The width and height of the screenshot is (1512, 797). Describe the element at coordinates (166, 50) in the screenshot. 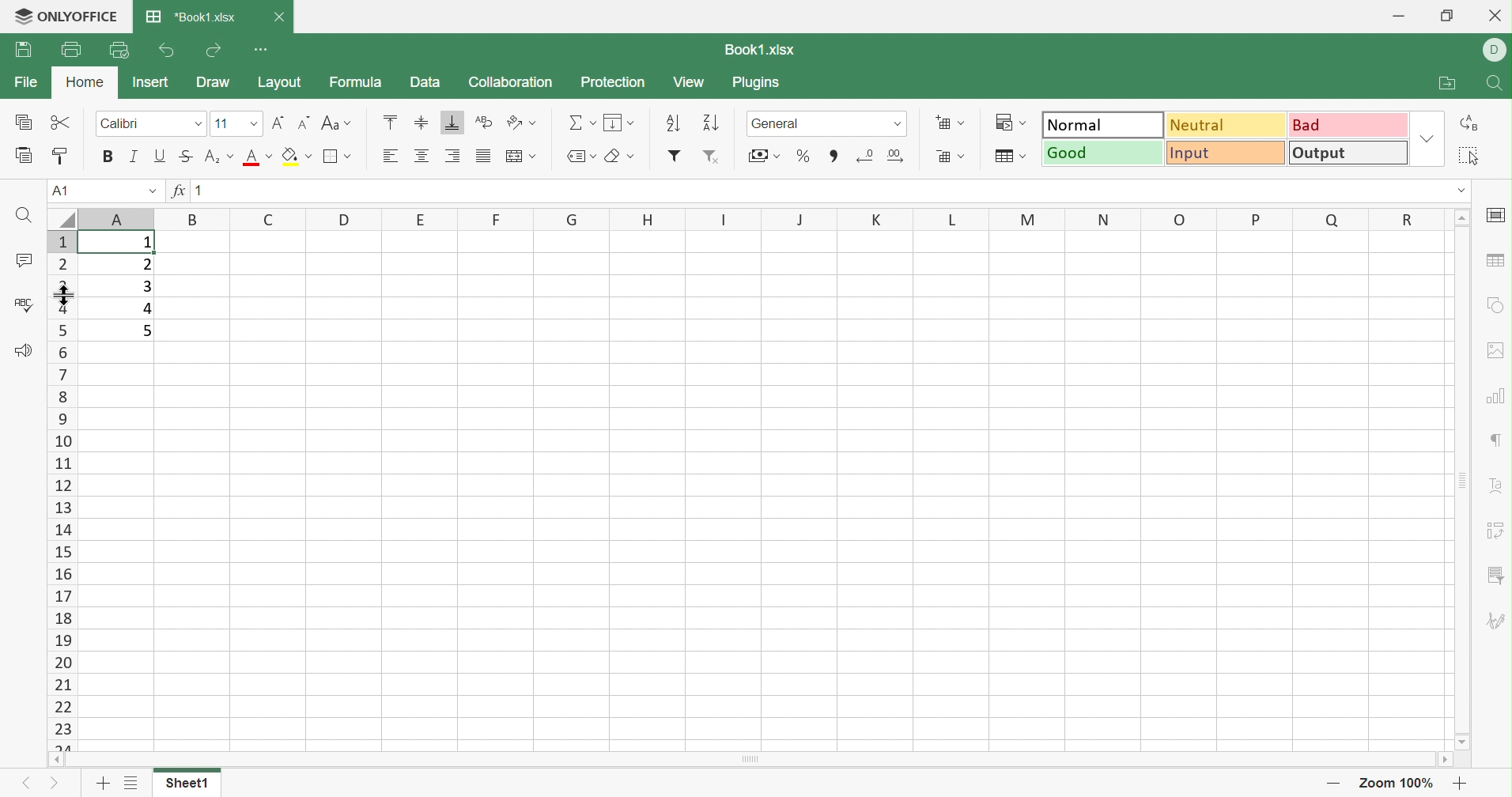

I see `Undo` at that location.